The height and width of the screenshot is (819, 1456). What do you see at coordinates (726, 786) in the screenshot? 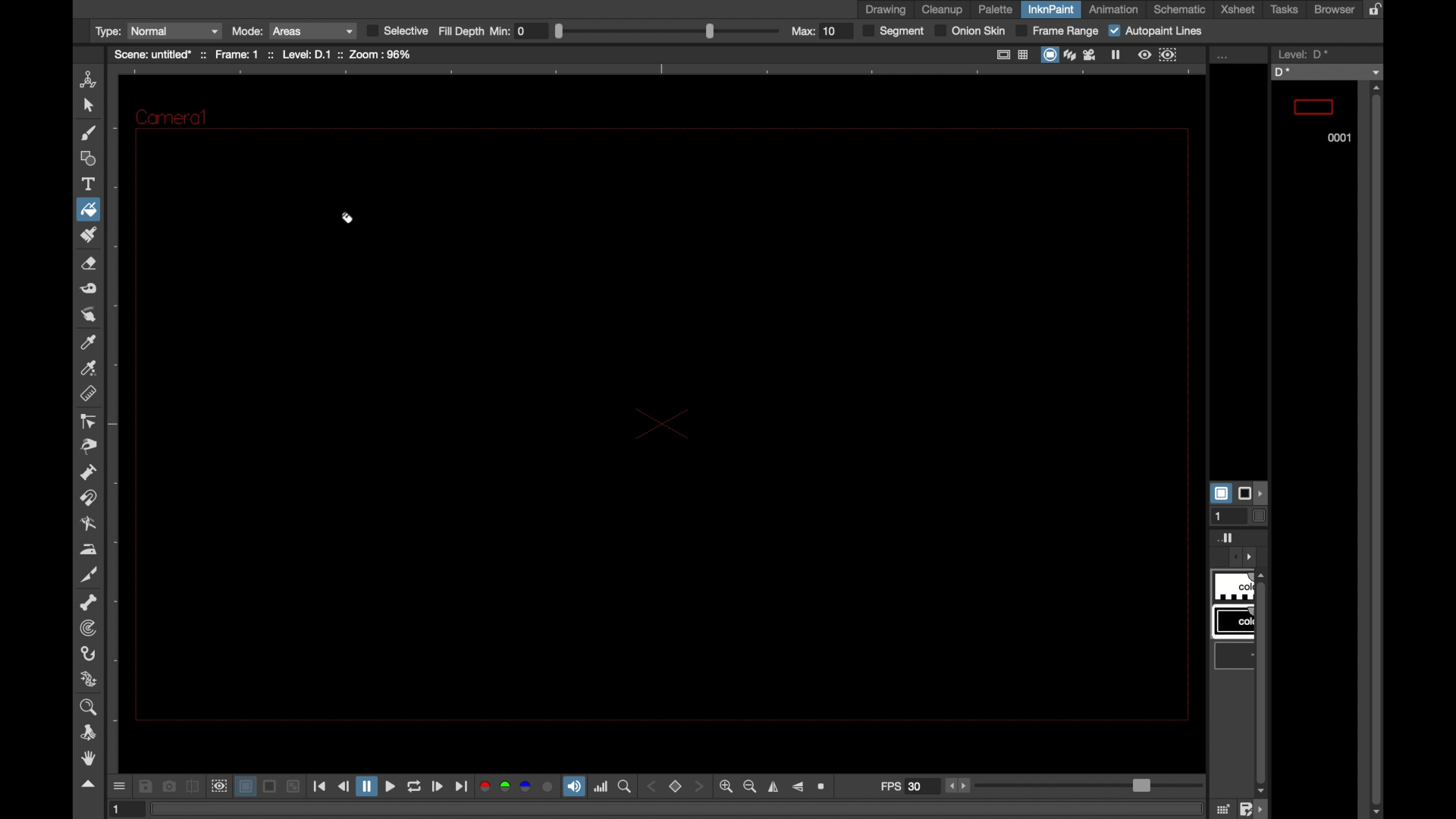
I see `zoom in` at bounding box center [726, 786].